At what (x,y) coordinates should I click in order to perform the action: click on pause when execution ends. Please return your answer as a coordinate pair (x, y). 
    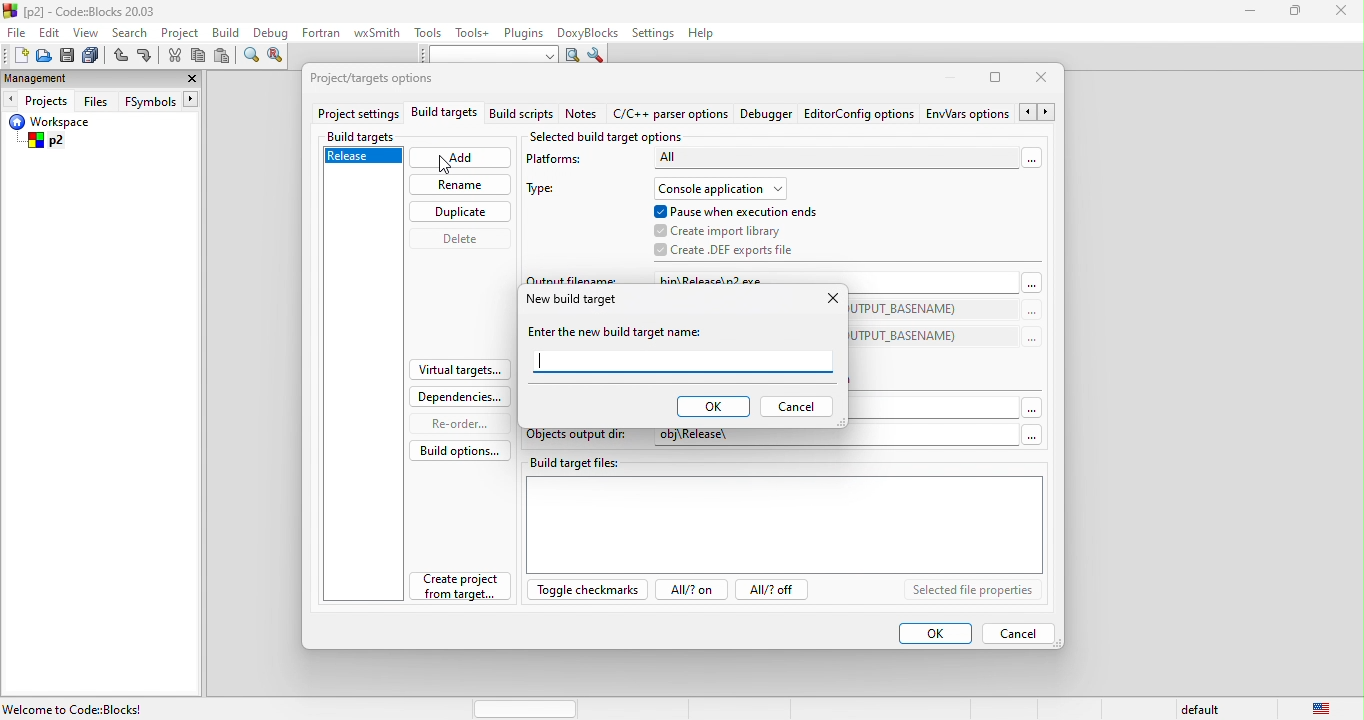
    Looking at the image, I should click on (736, 211).